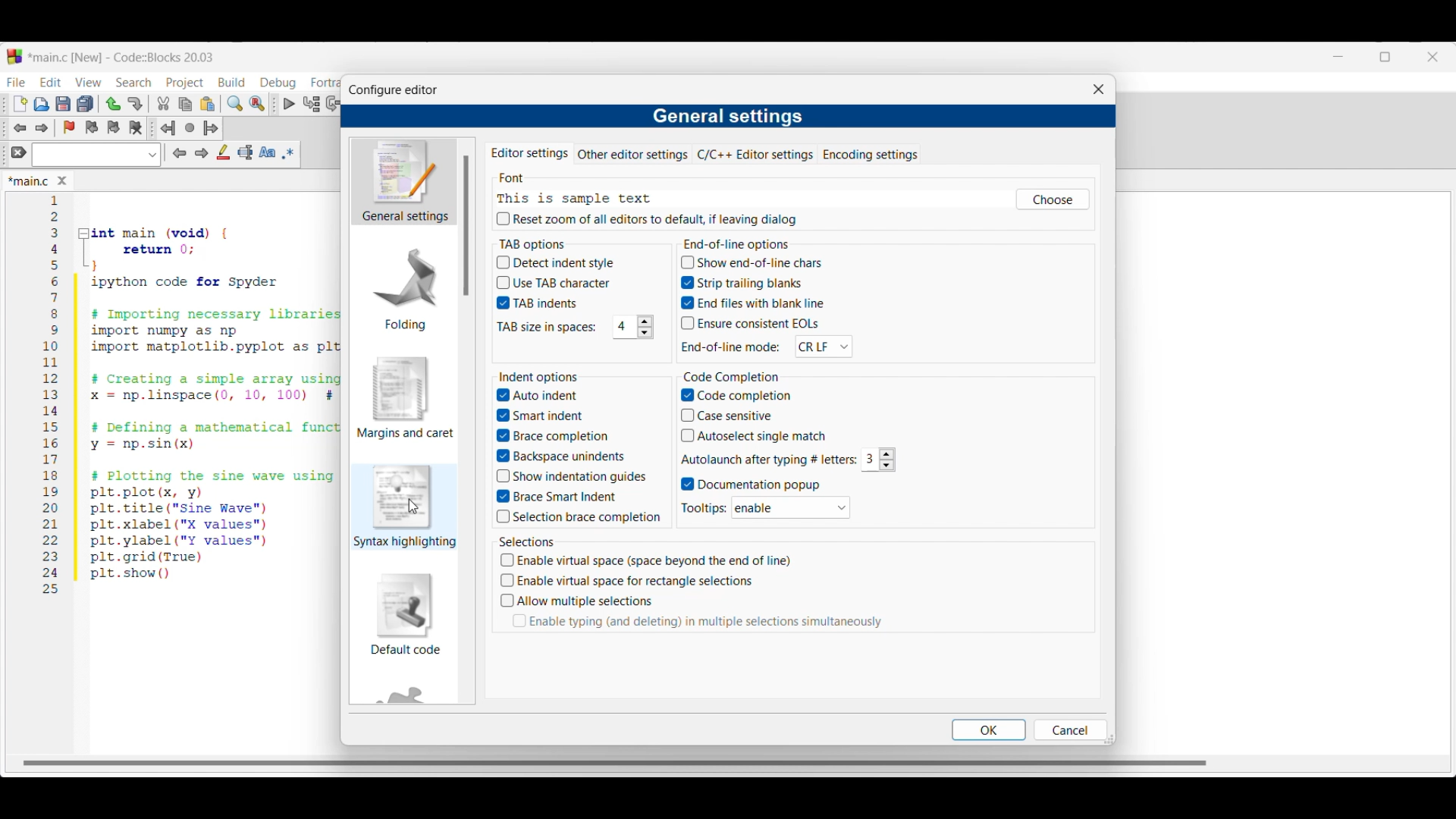 Image resolution: width=1456 pixels, height=819 pixels. I want to click on Ensure consistent EOLs, so click(750, 322).